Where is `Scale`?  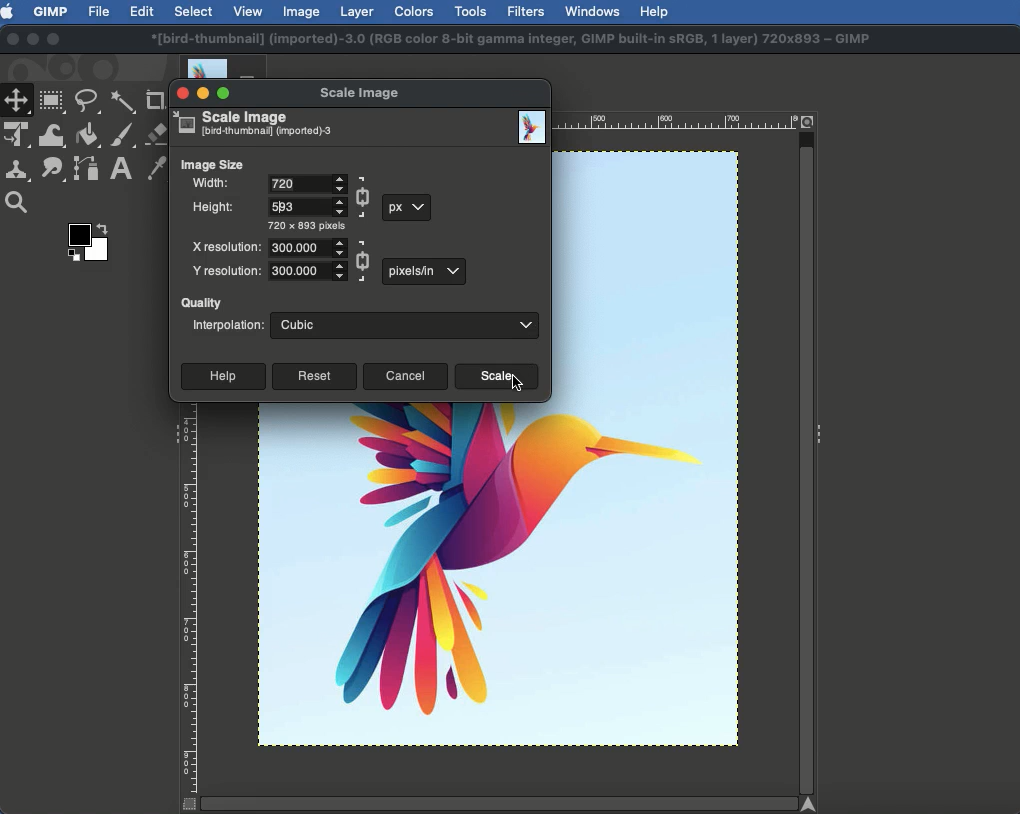 Scale is located at coordinates (496, 379).